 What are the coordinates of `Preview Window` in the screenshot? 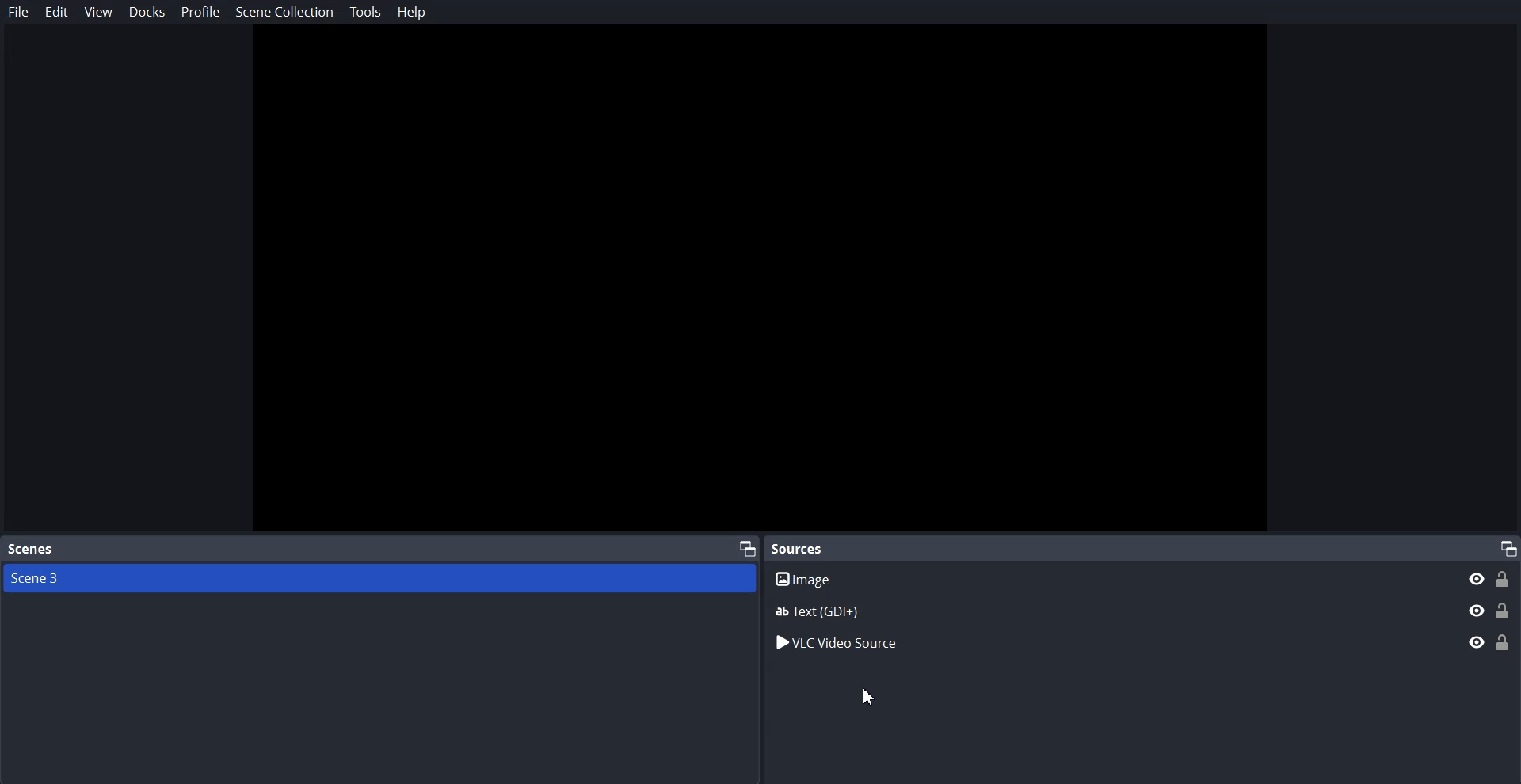 It's located at (760, 280).